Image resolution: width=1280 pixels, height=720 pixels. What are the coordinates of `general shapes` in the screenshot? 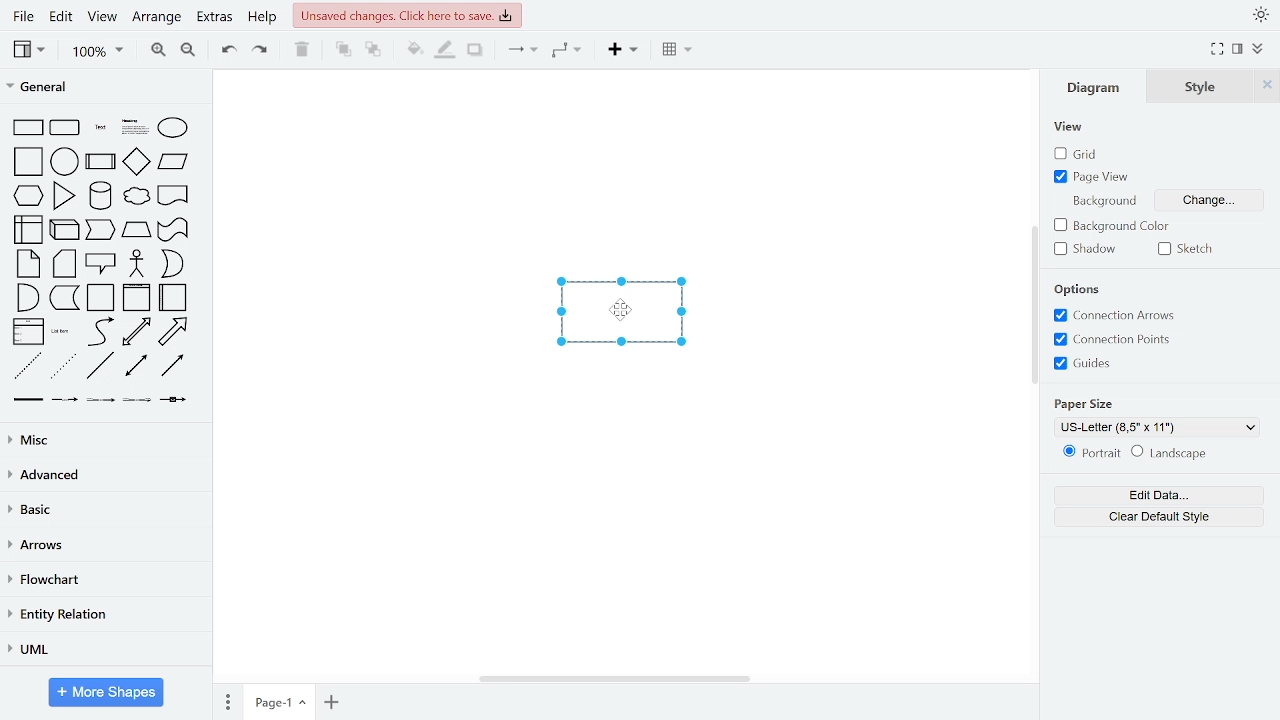 It's located at (61, 365).